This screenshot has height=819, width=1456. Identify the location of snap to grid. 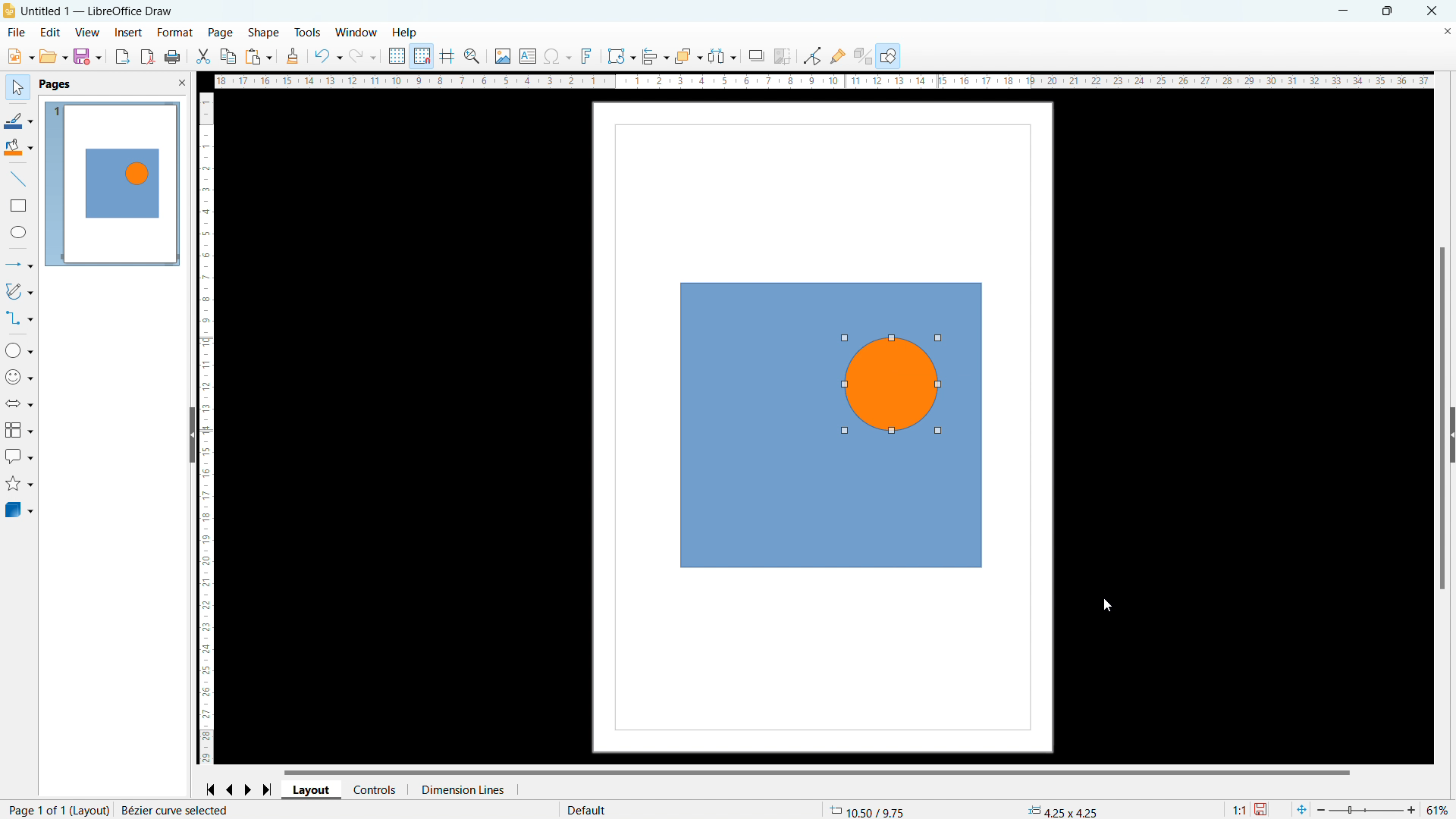
(422, 57).